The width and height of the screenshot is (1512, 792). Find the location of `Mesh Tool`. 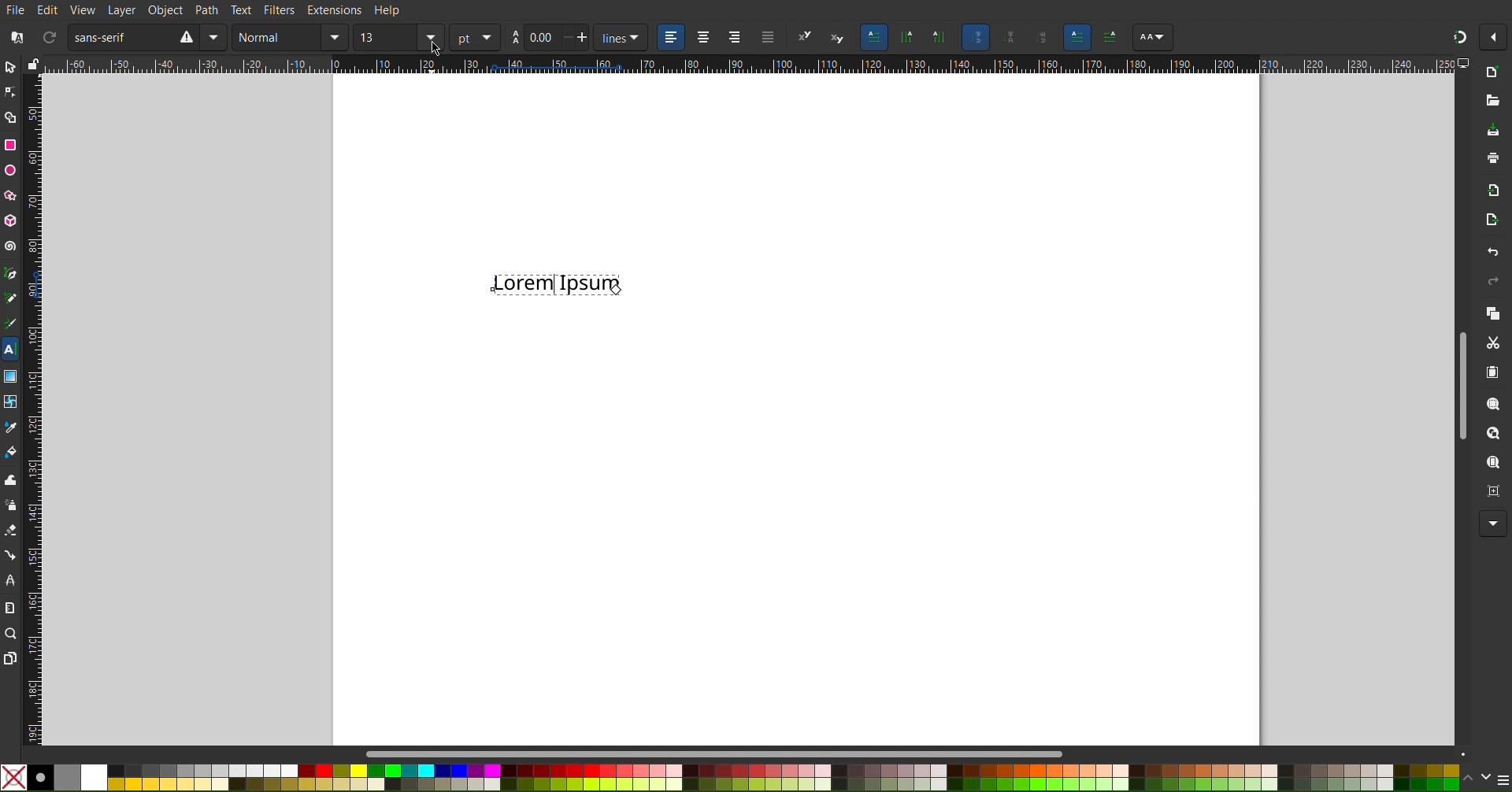

Mesh Tool is located at coordinates (9, 401).